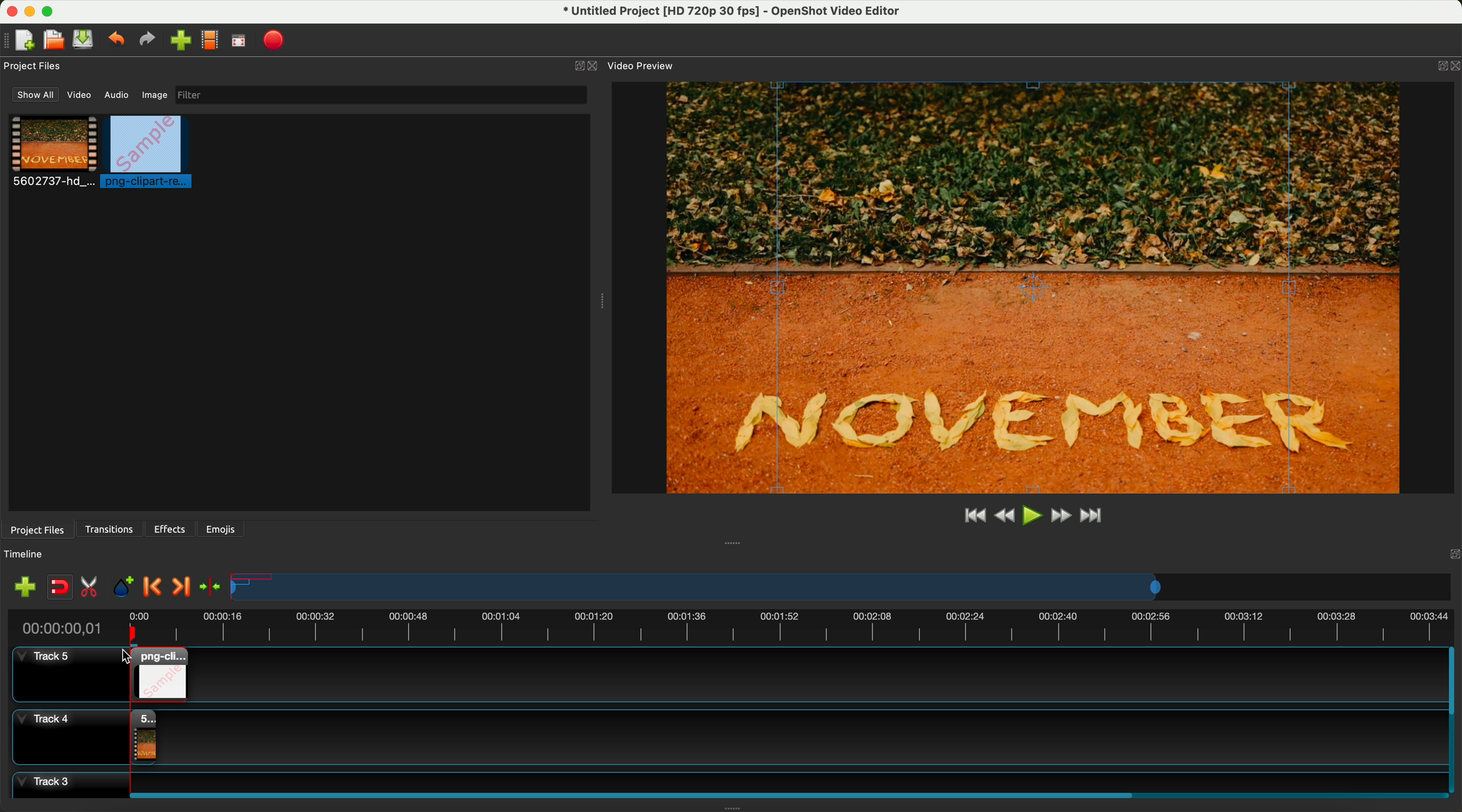  What do you see at coordinates (52, 10) in the screenshot?
I see `maximize` at bounding box center [52, 10].